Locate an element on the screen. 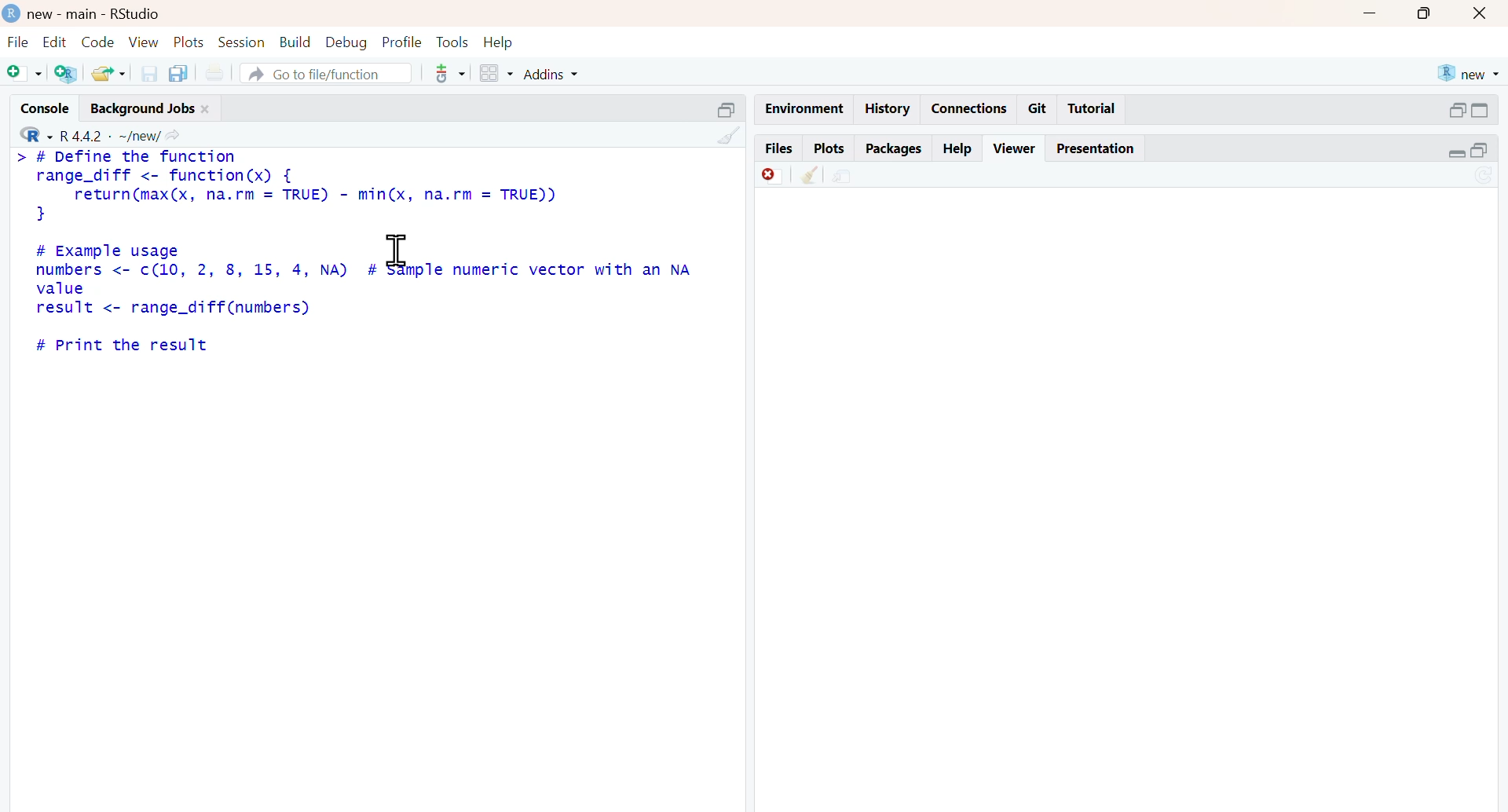  debug is located at coordinates (347, 43).